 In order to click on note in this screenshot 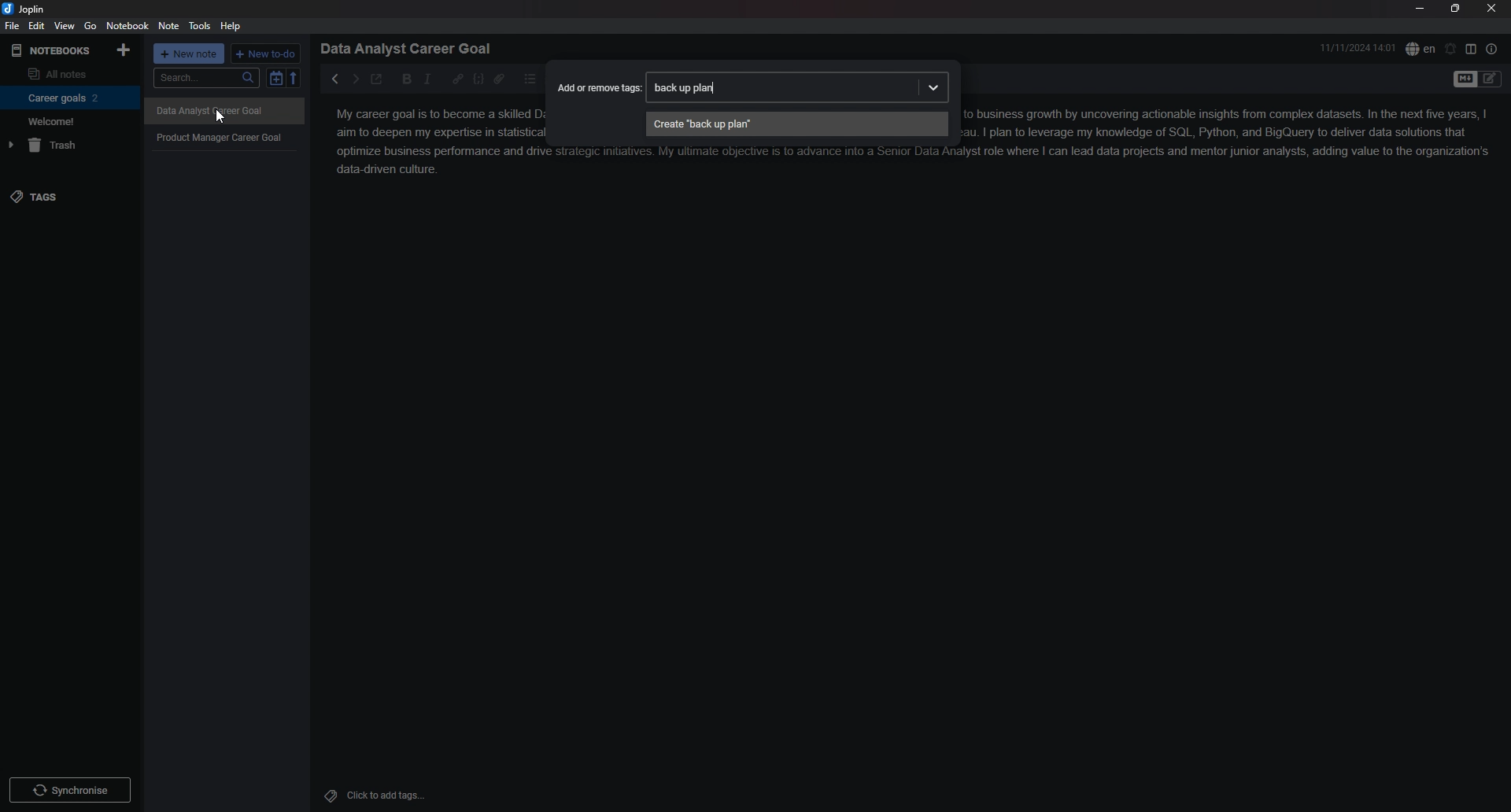, I will do `click(170, 25)`.